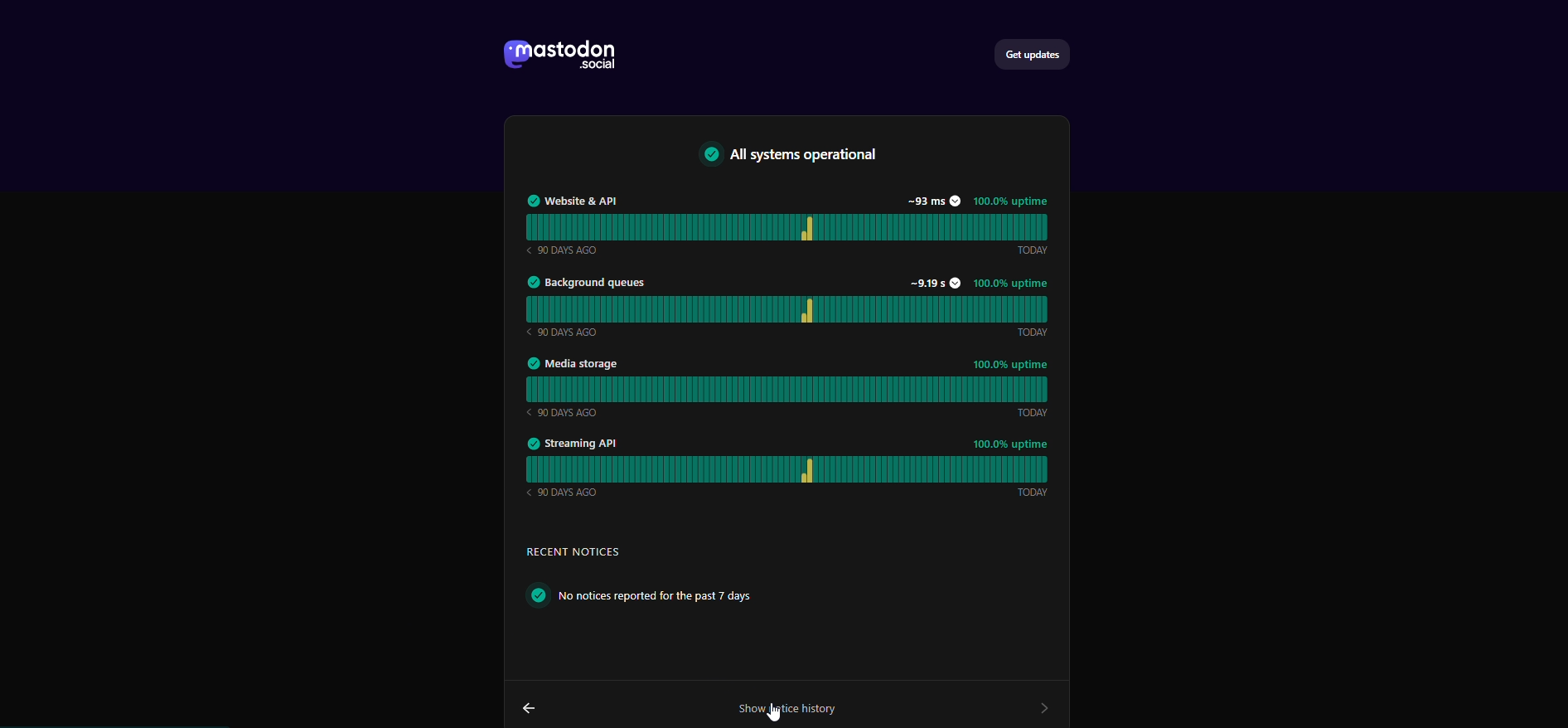  Describe the element at coordinates (795, 308) in the screenshot. I see `background queue status` at that location.